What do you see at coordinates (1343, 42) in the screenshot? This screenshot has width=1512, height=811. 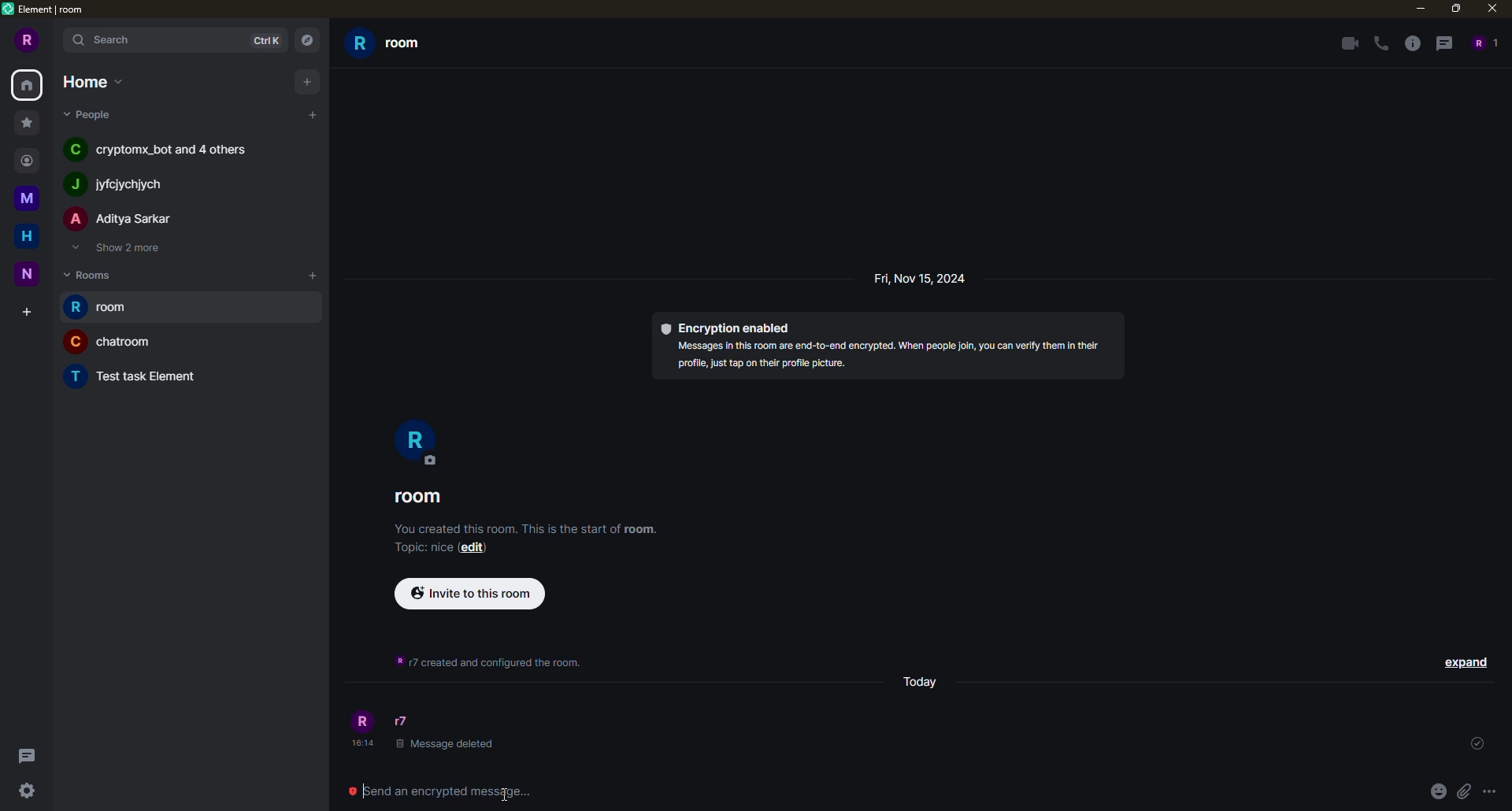 I see `video call` at bounding box center [1343, 42].